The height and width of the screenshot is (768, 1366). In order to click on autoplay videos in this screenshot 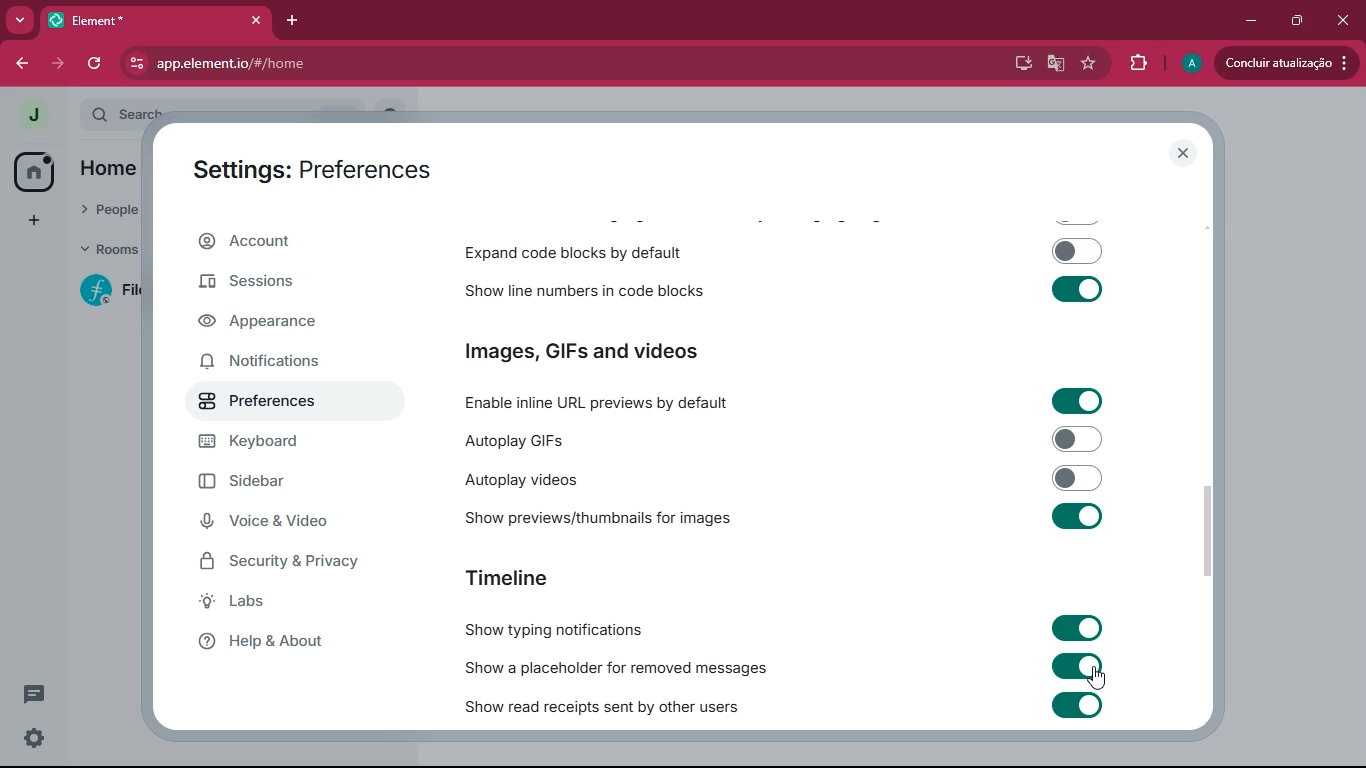, I will do `click(581, 478)`.